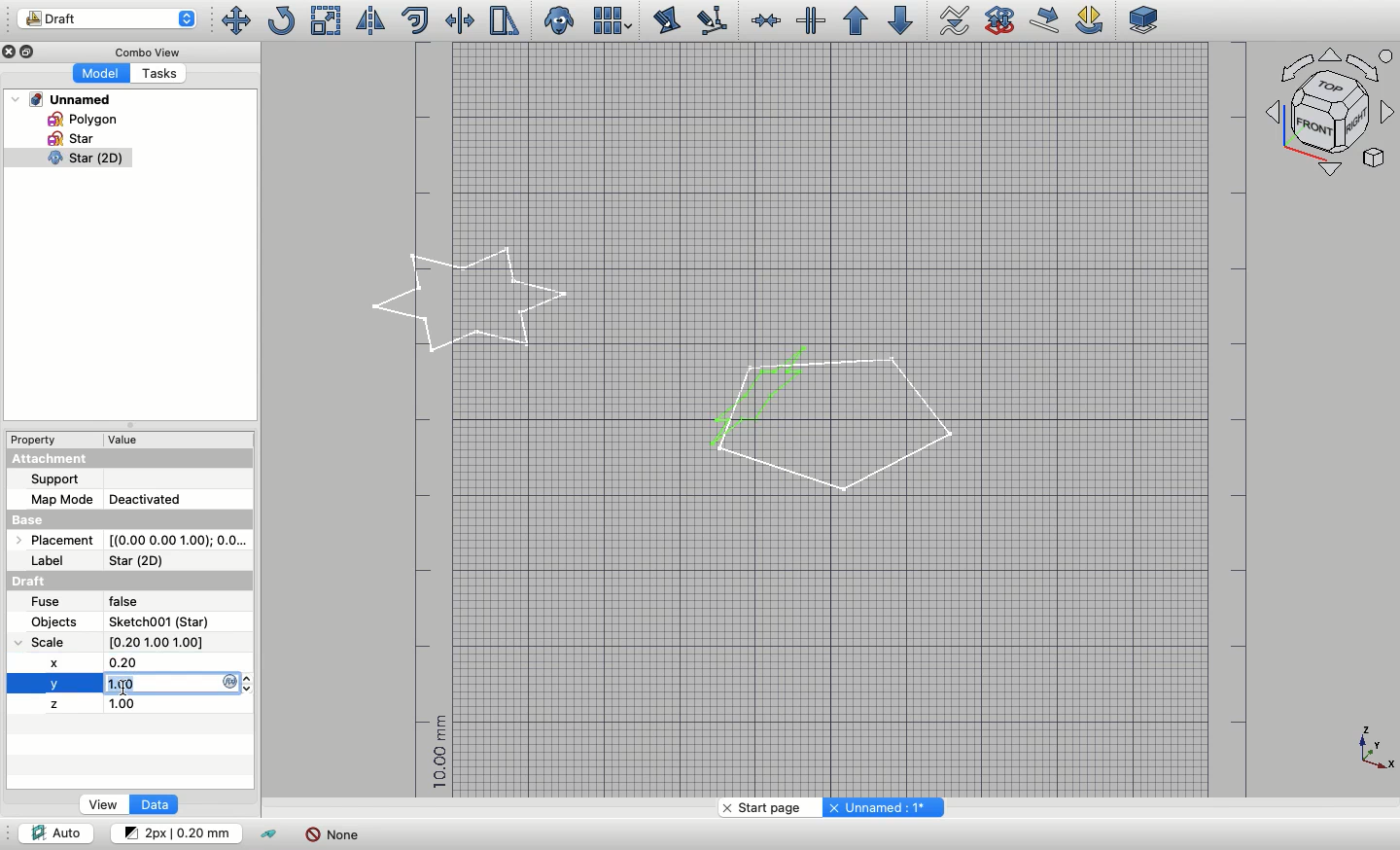  Describe the element at coordinates (175, 540) in the screenshot. I see `[(0.00 0.00 1.00); 0.0...` at that location.